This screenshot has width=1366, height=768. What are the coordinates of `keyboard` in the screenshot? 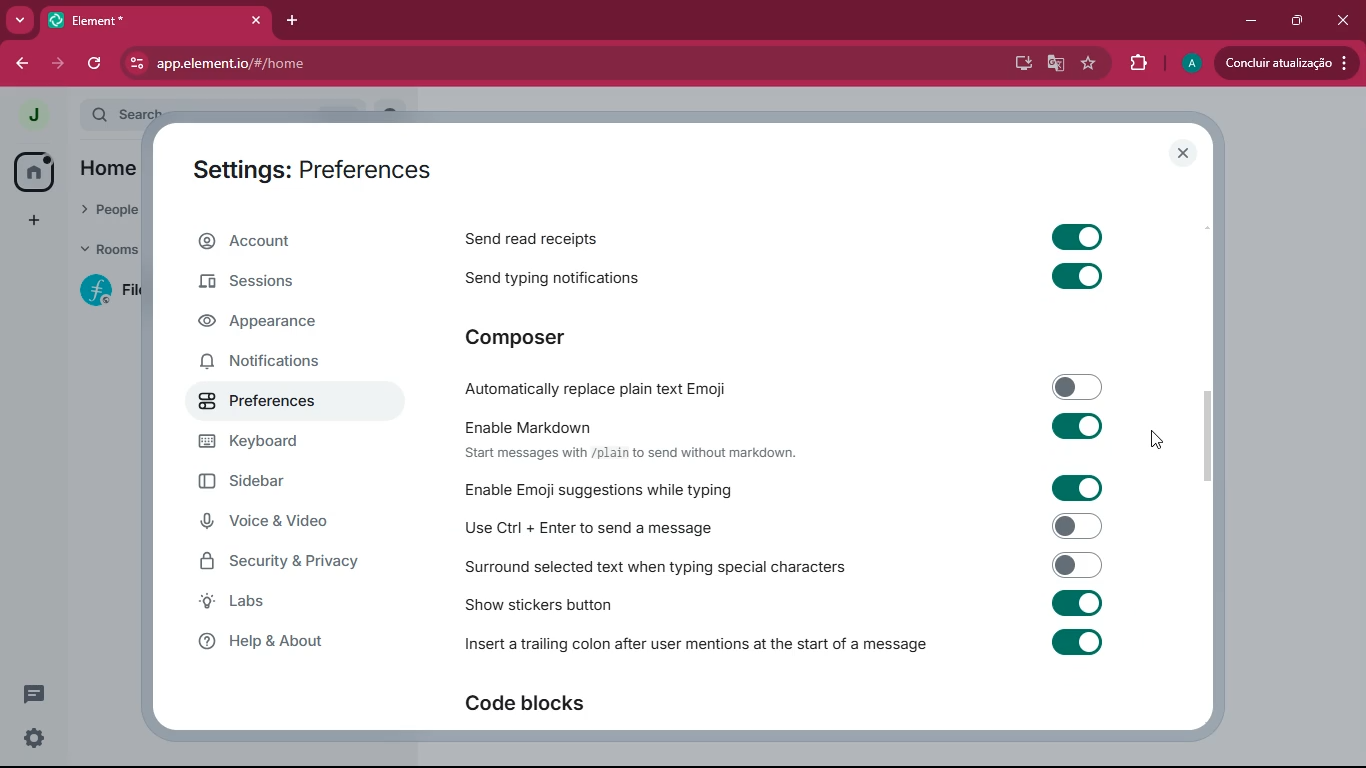 It's located at (278, 445).